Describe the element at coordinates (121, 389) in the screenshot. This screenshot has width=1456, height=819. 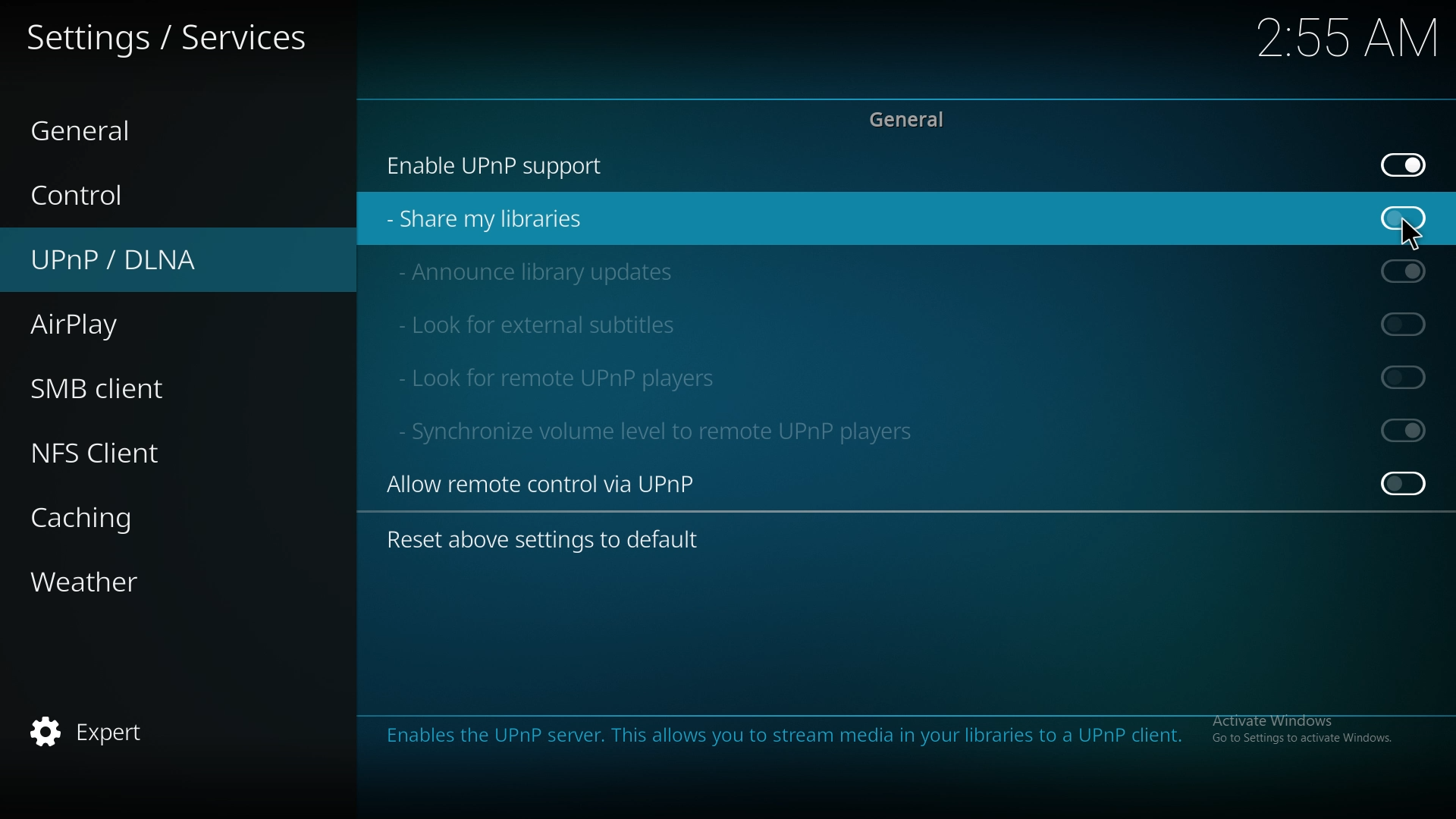
I see `smb client` at that location.